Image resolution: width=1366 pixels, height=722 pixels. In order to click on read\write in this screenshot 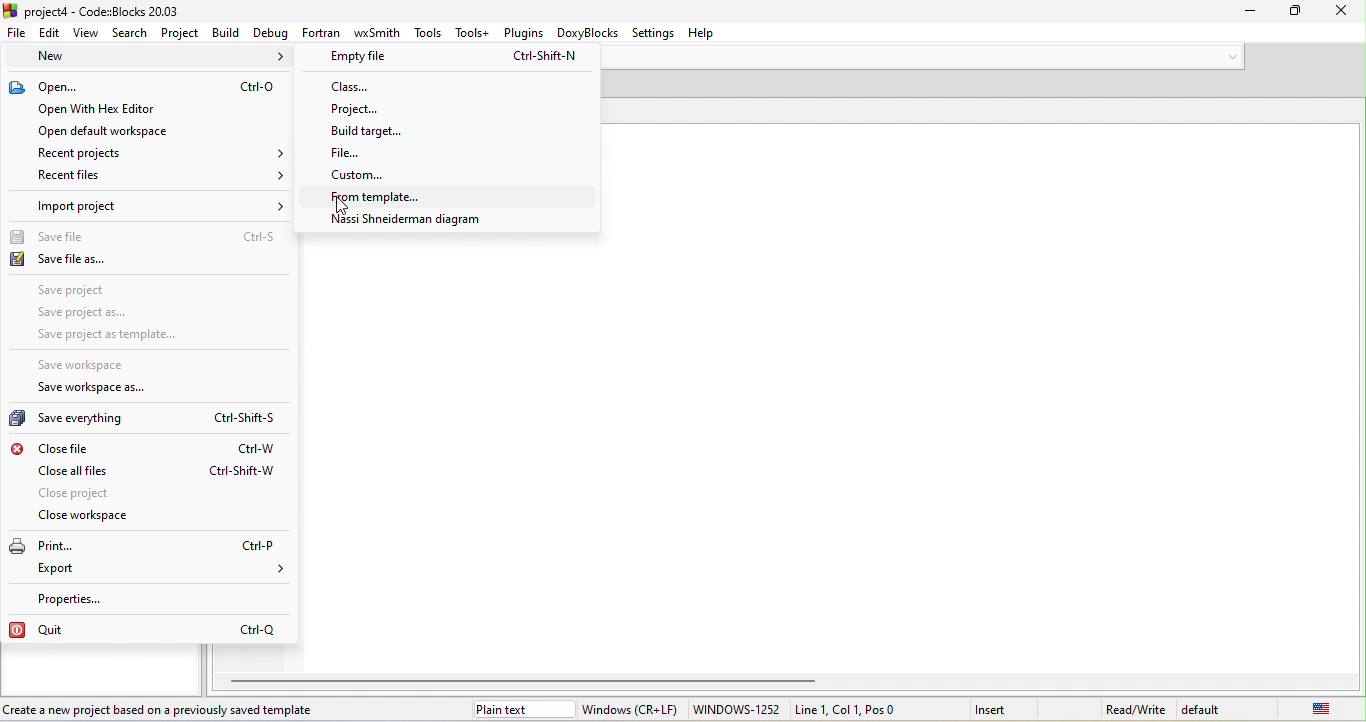, I will do `click(1135, 706)`.